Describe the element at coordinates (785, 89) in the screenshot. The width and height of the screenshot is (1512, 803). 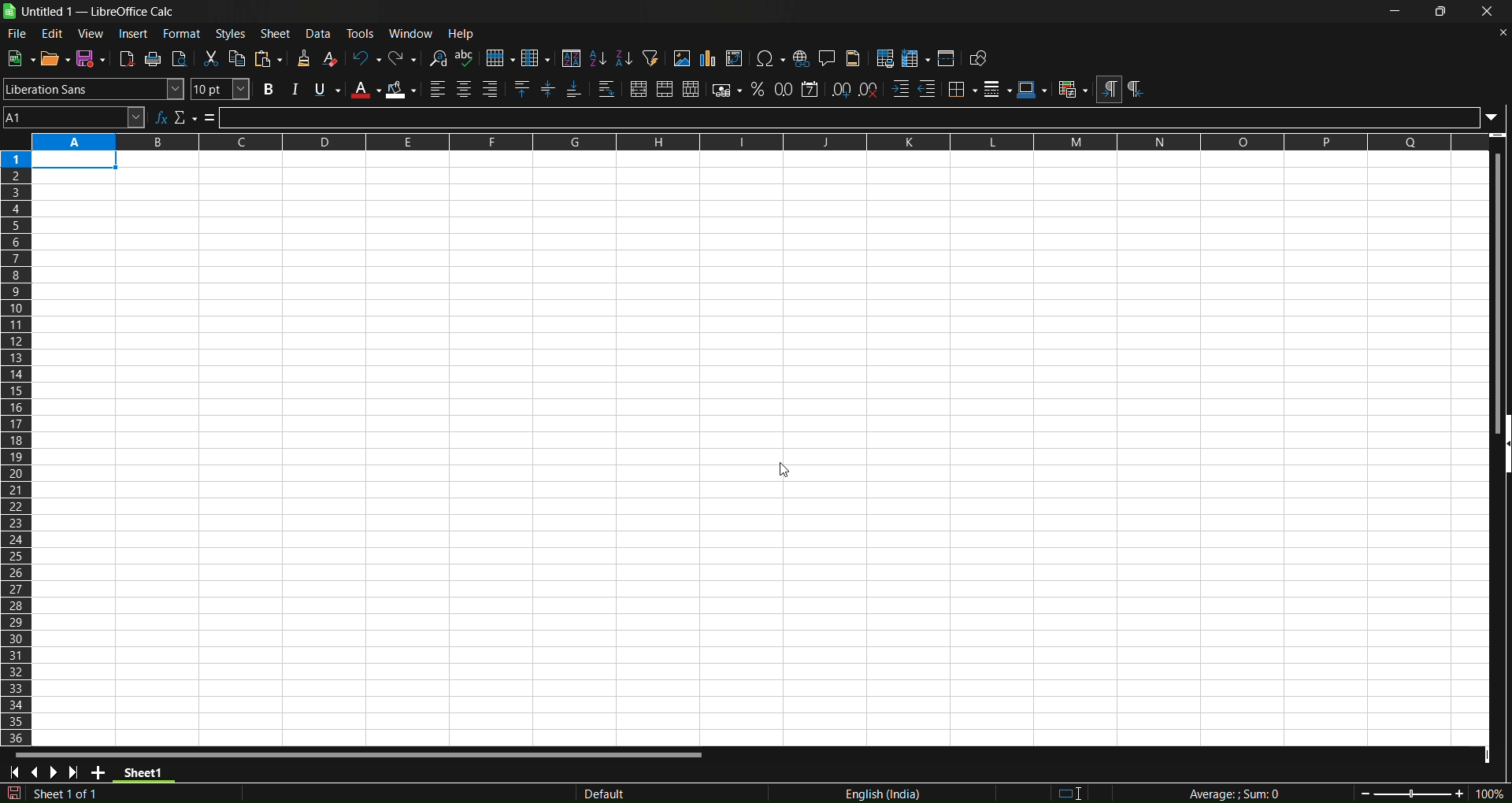
I see `format as number` at that location.